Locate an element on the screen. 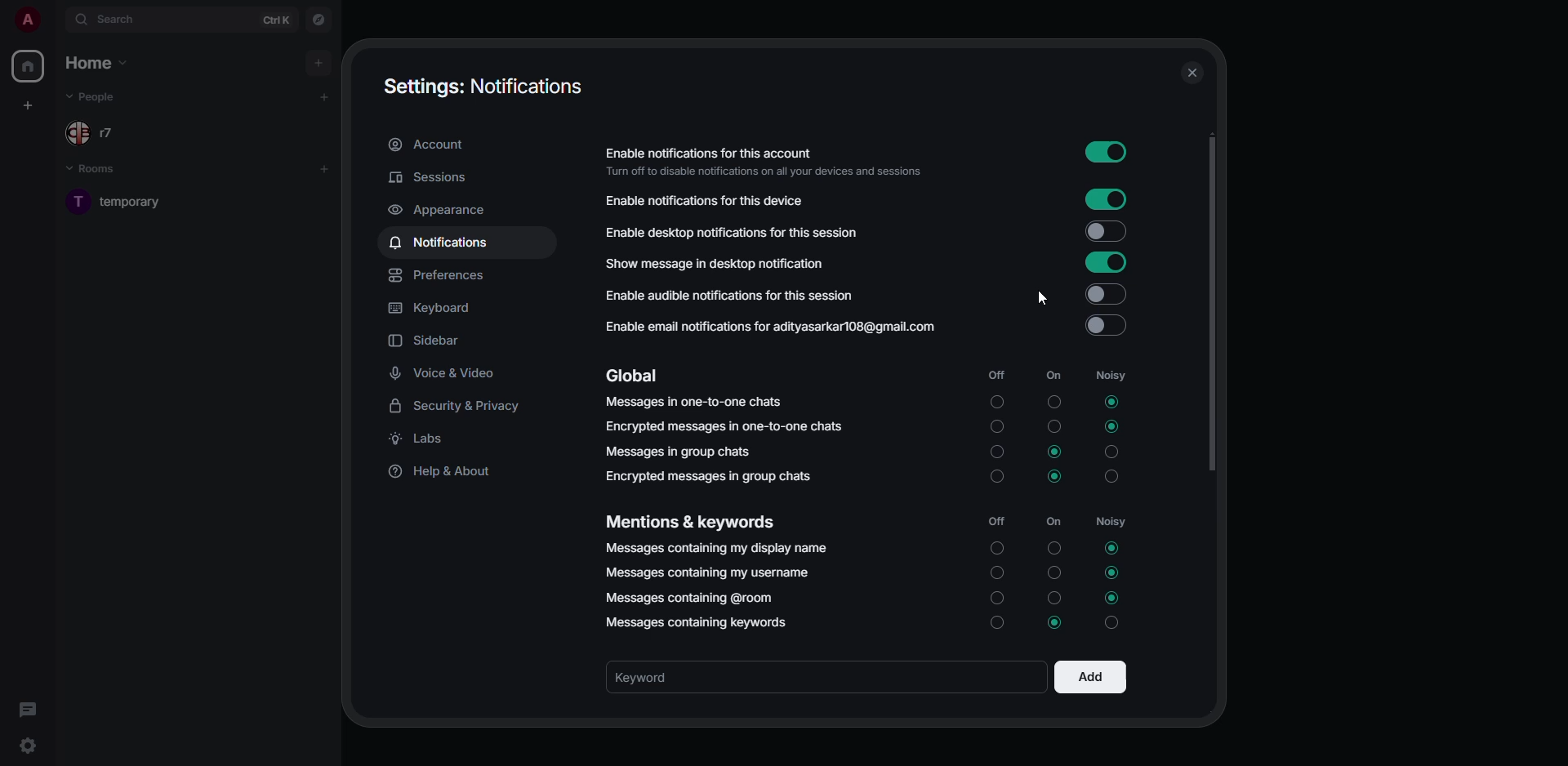  sidebar is located at coordinates (426, 341).